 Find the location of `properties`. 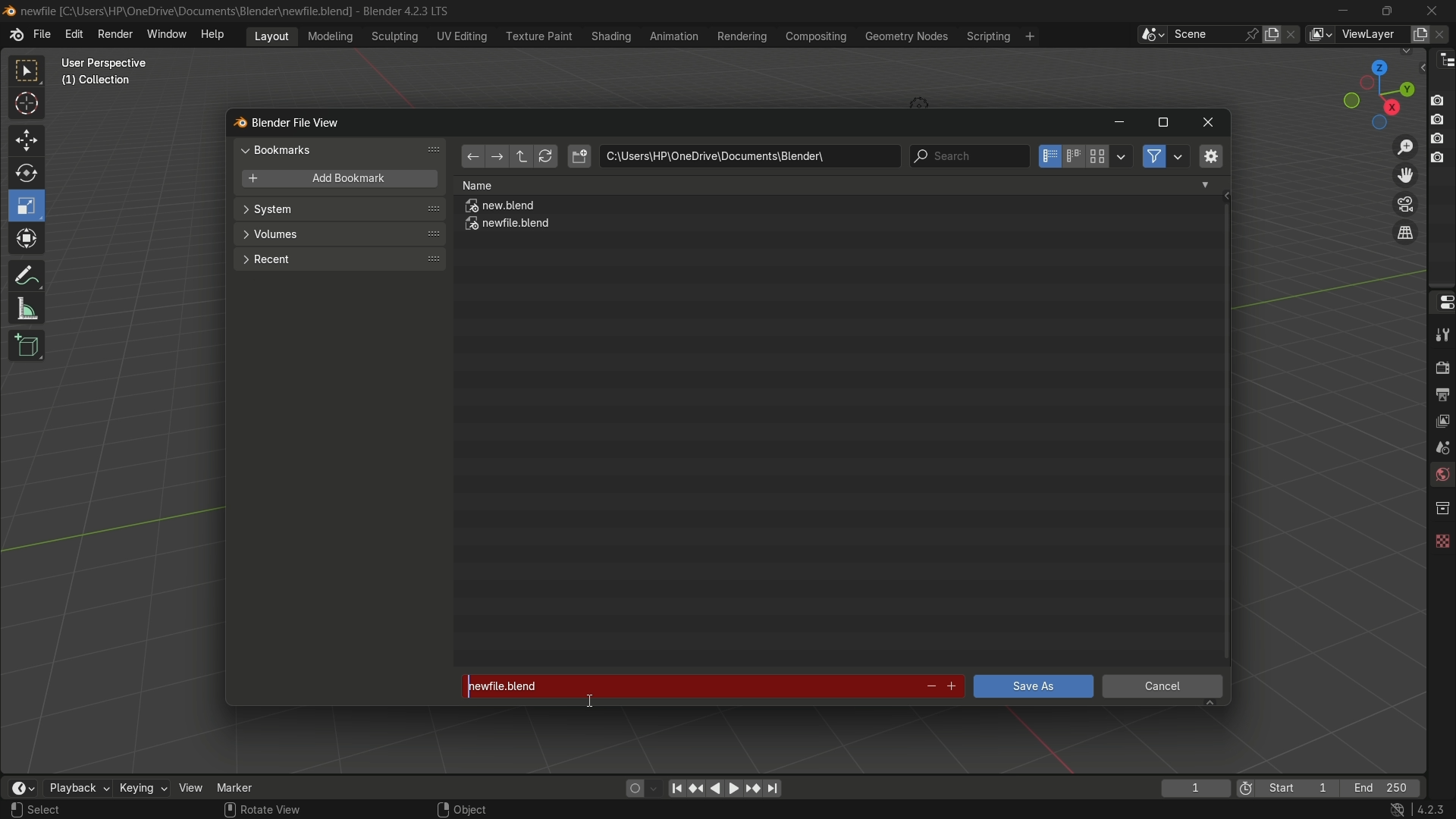

properties is located at coordinates (1441, 301).